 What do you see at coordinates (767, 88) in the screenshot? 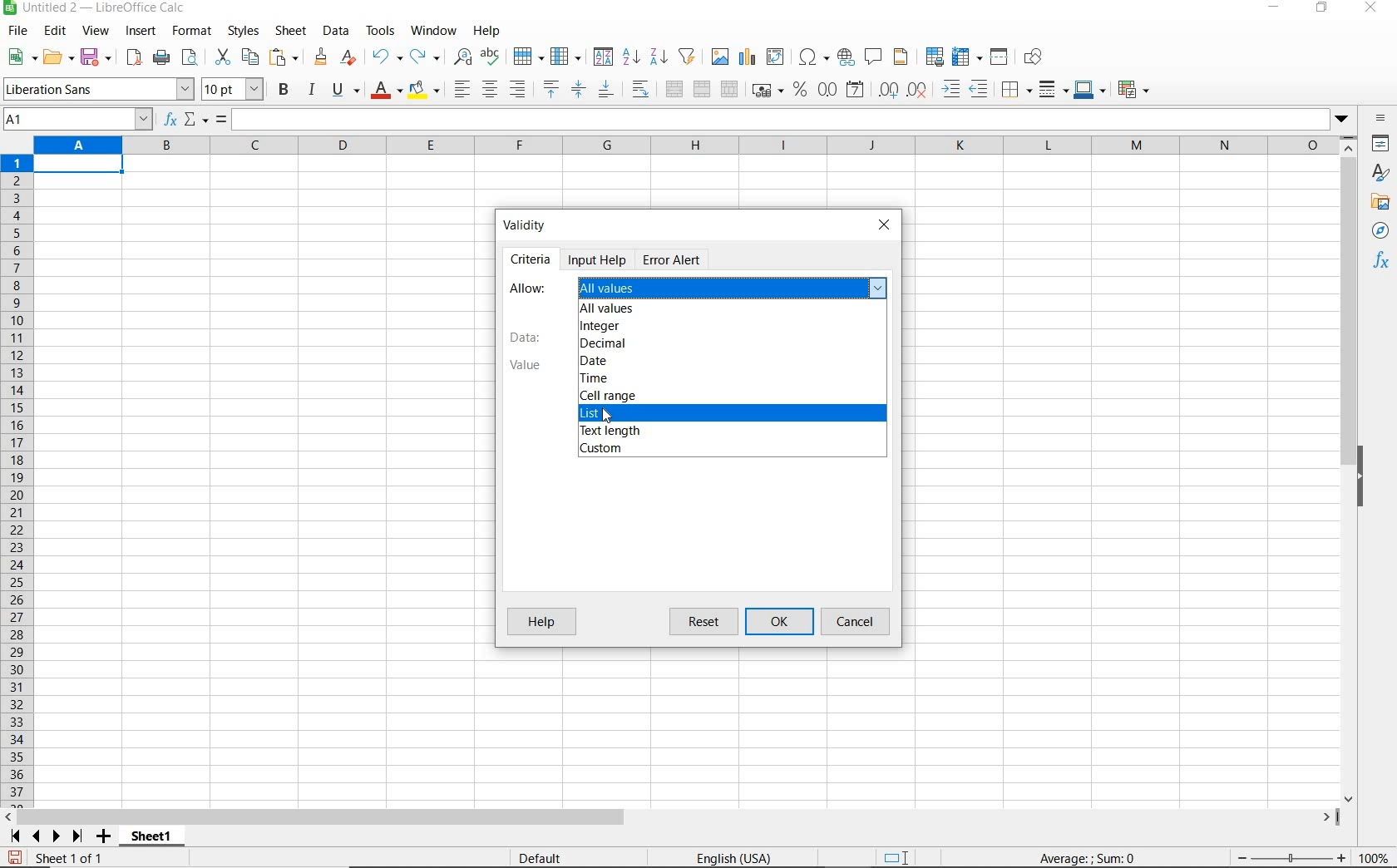
I see `format as currency` at bounding box center [767, 88].